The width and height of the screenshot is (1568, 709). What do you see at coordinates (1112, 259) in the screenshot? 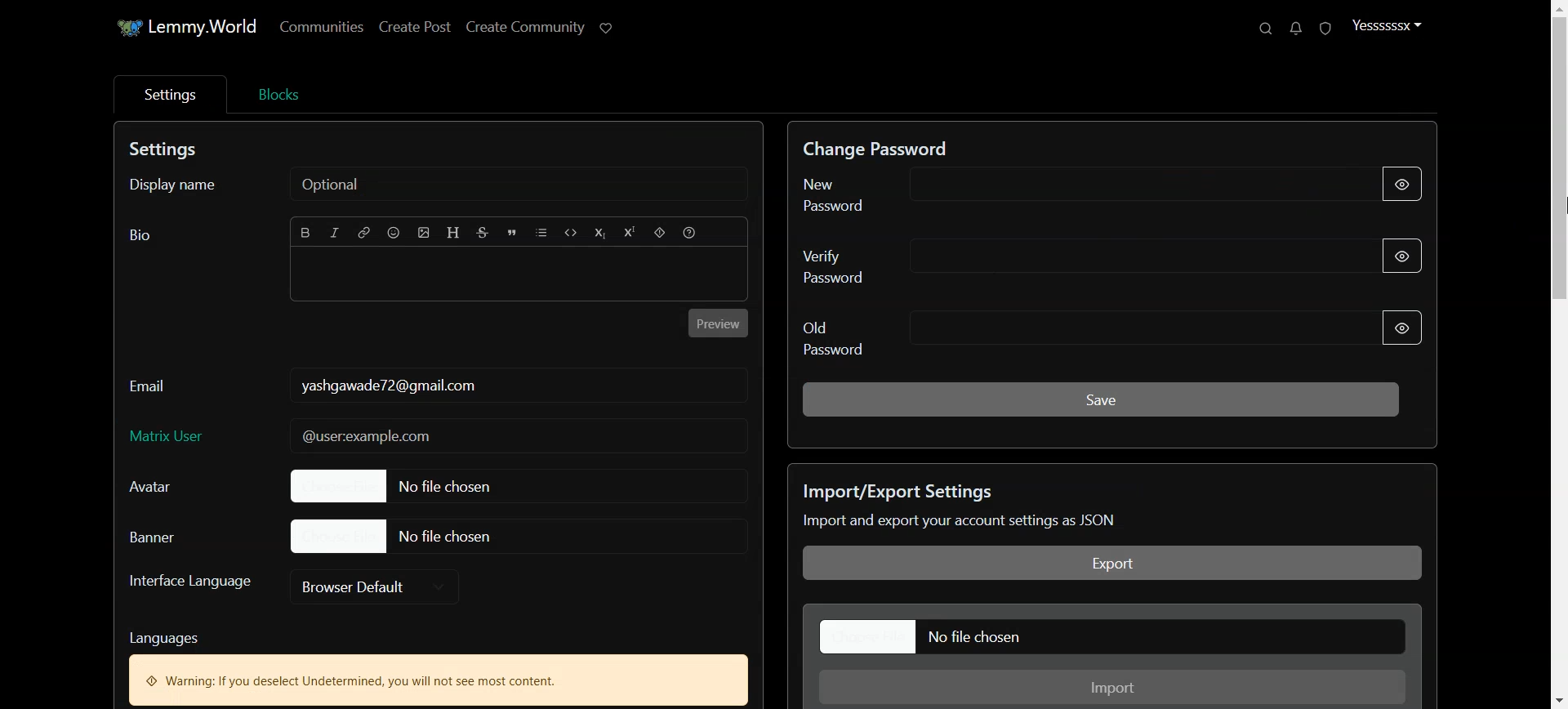
I see `Verify password` at bounding box center [1112, 259].